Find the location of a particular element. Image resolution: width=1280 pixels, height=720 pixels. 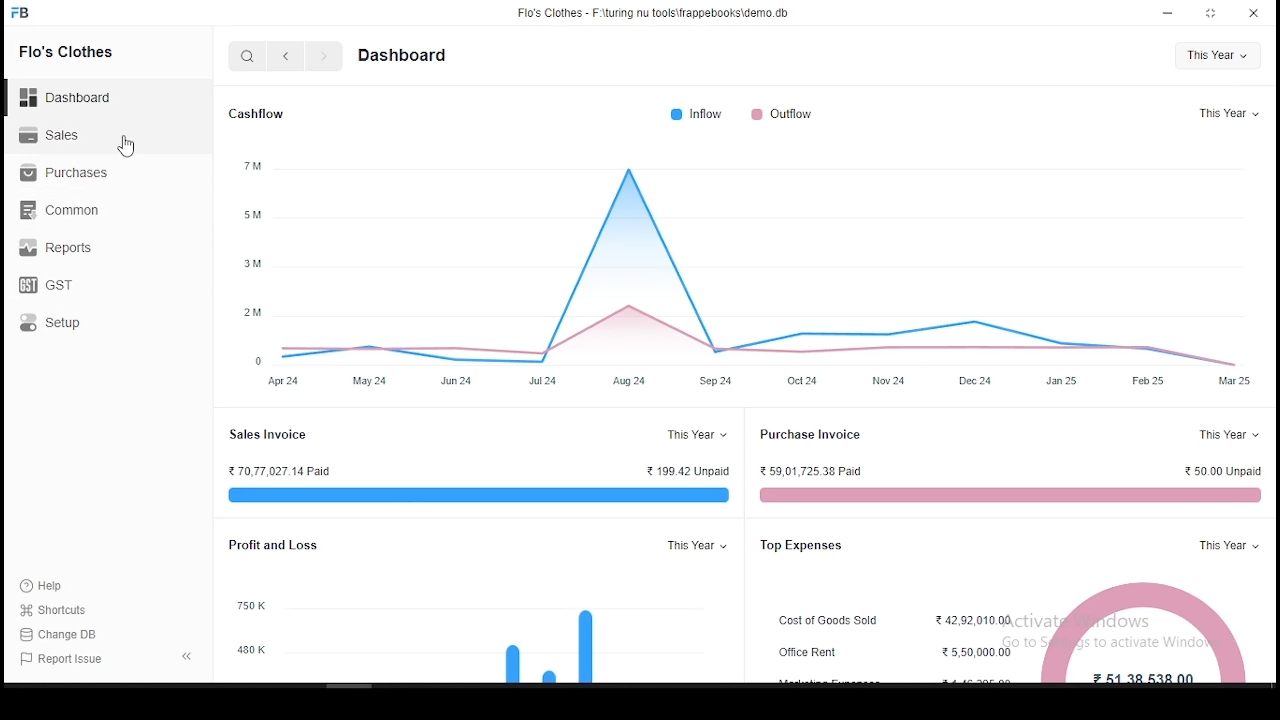

Flo's Clothes - F-\turing nu tools\frappebooks\demo db is located at coordinates (655, 12).